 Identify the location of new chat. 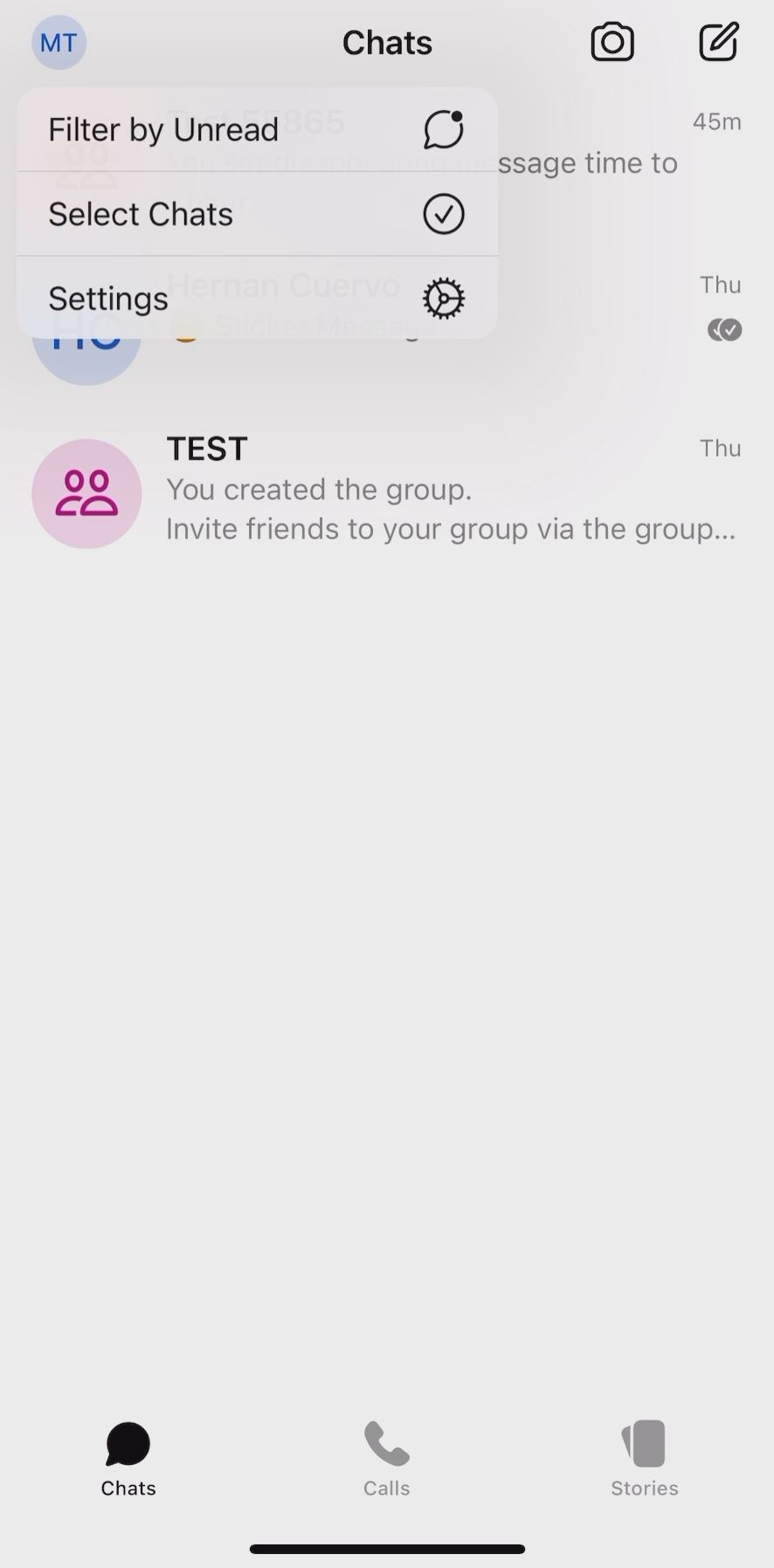
(717, 38).